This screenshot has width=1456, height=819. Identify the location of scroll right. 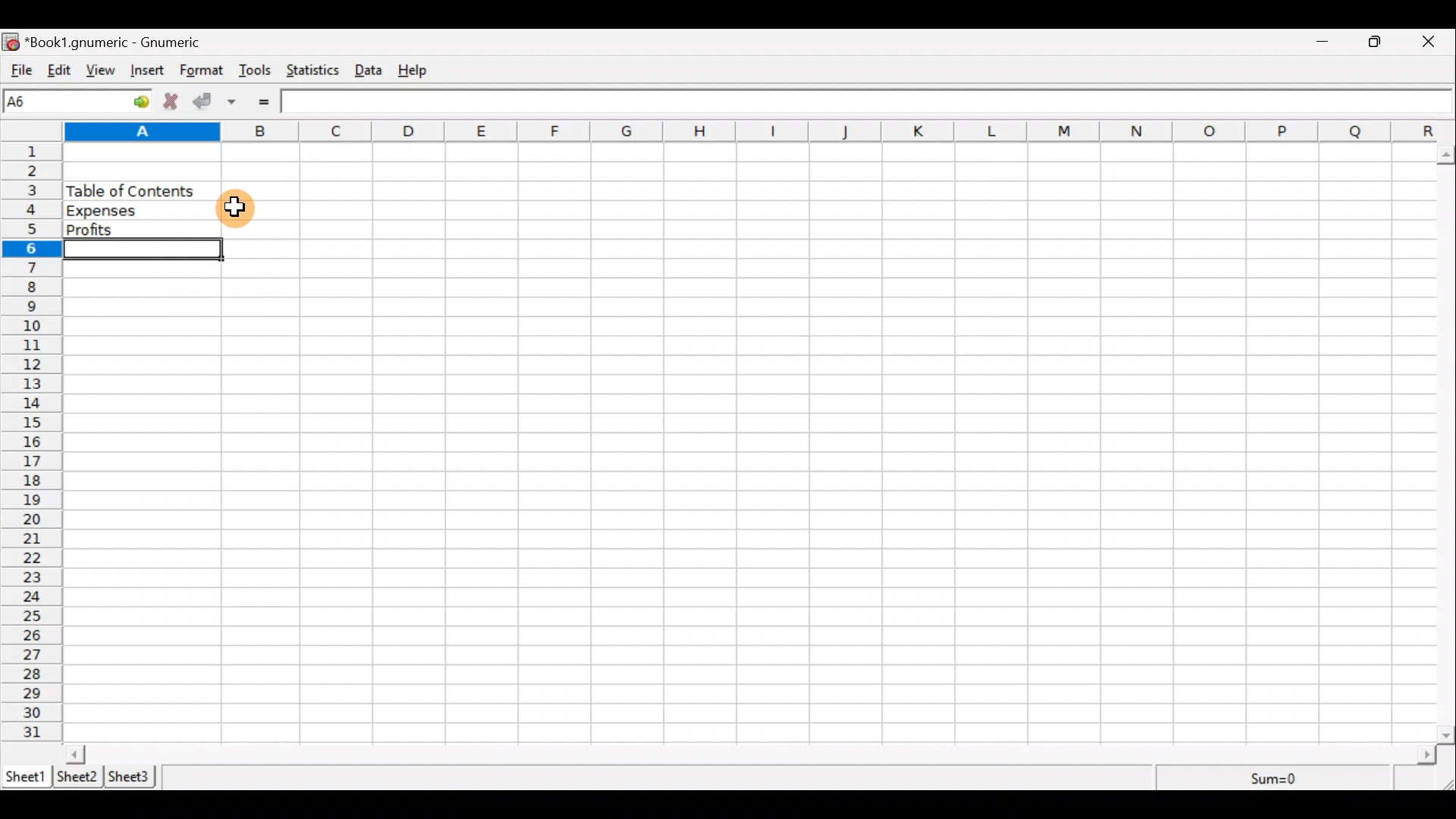
(1426, 755).